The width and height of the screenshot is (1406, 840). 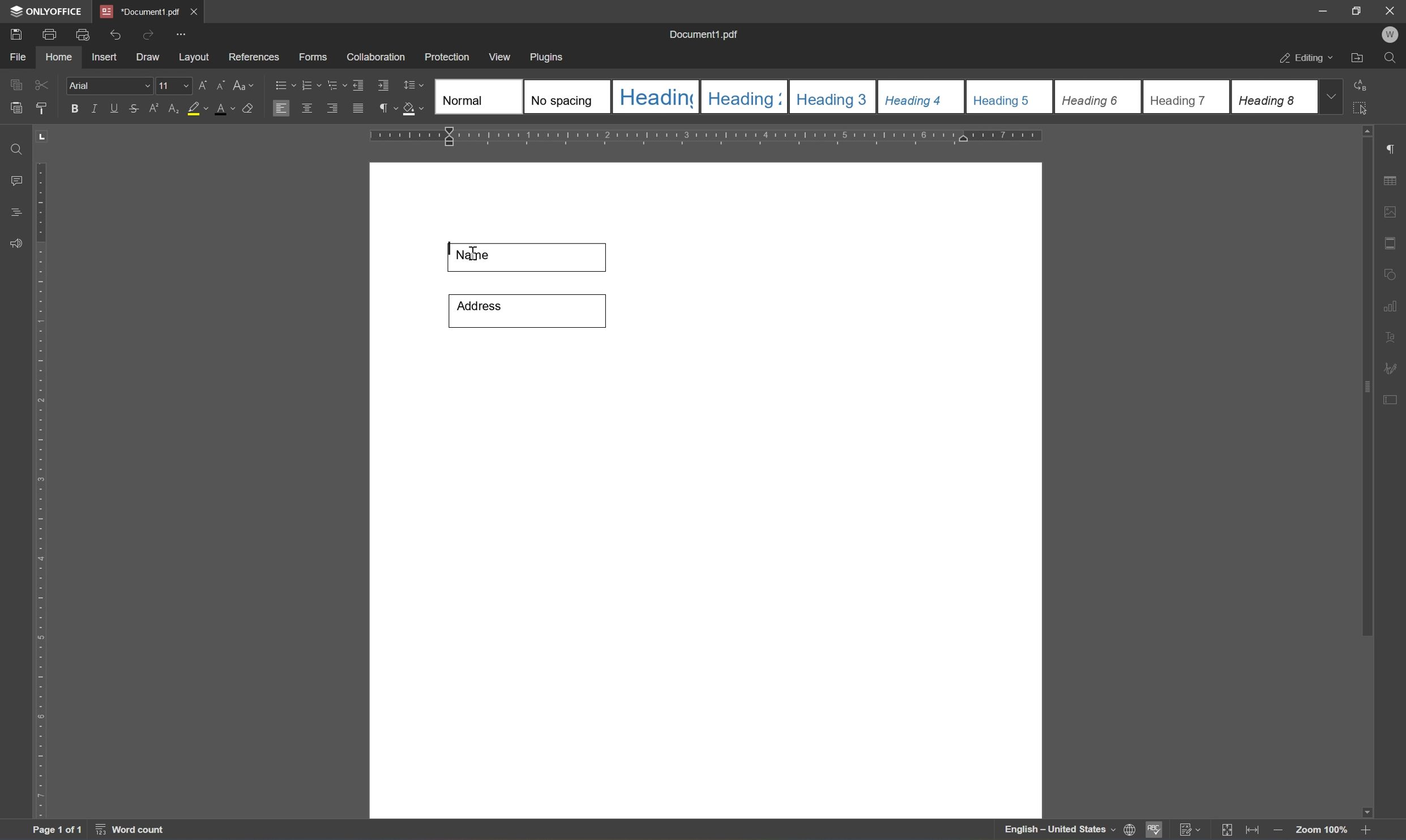 I want to click on track changes, so click(x=1191, y=830).